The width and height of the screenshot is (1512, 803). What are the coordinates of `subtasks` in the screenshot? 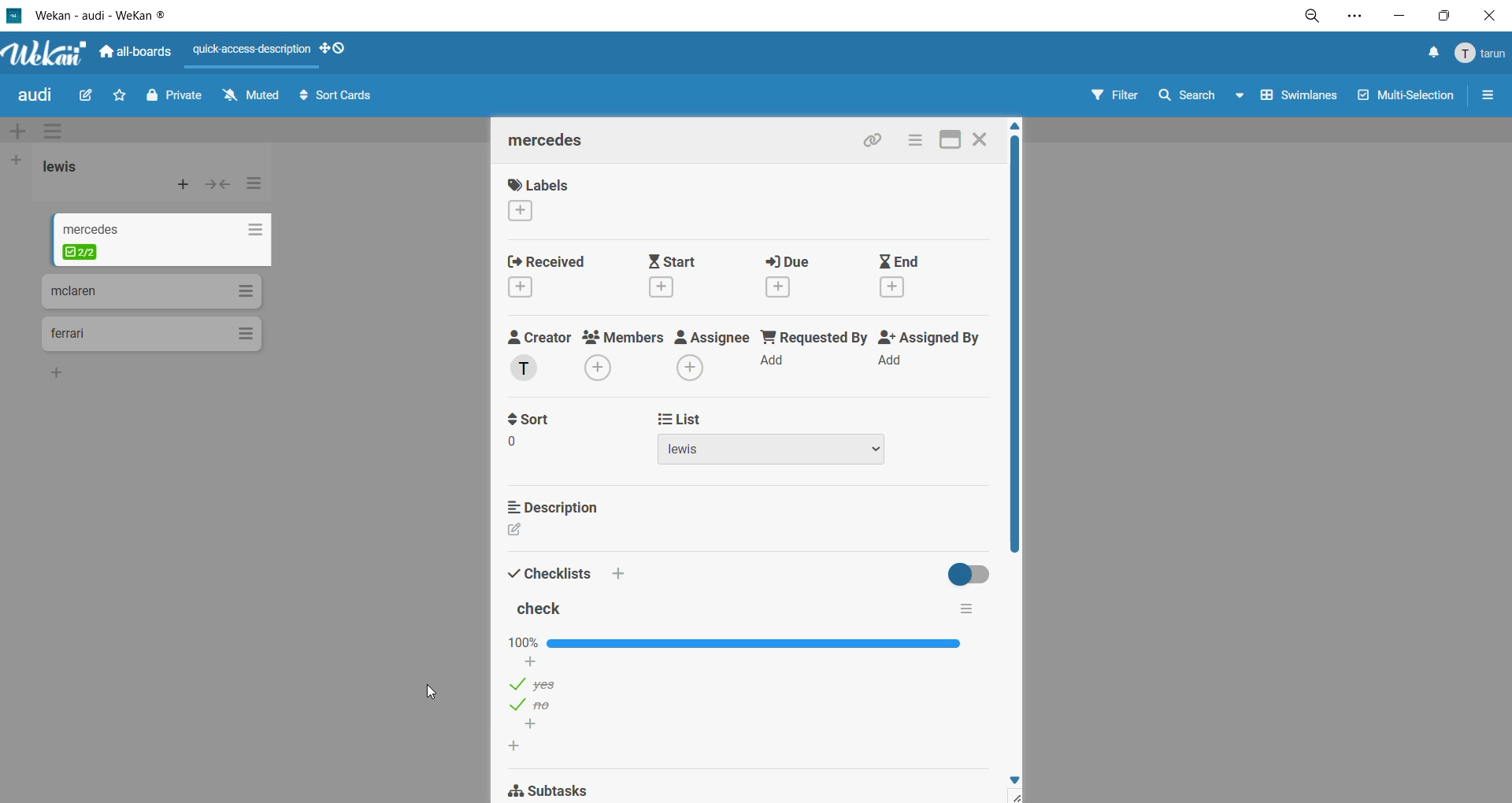 It's located at (558, 790).